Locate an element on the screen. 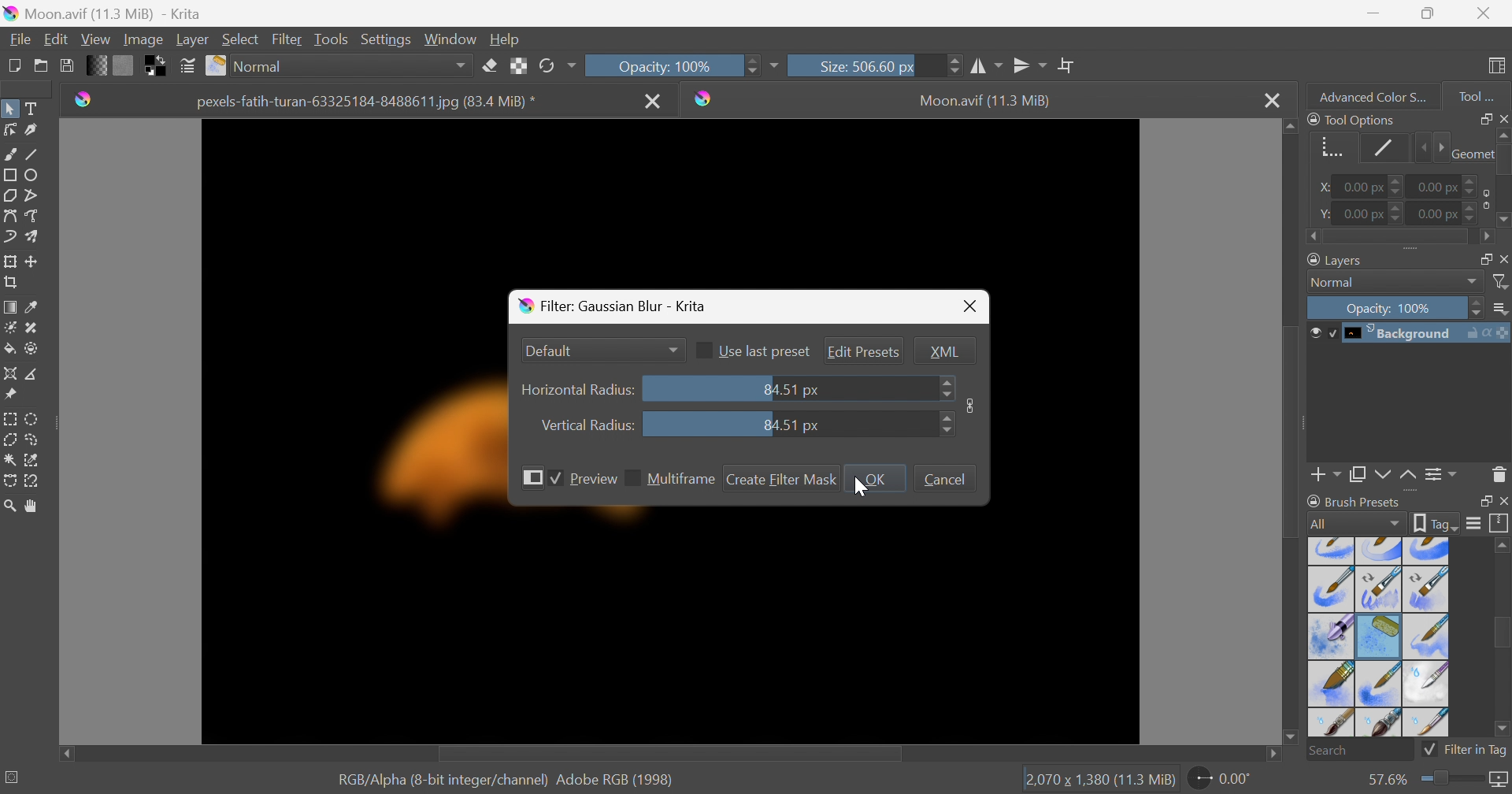 The height and width of the screenshot is (794, 1512). Restore down is located at coordinates (1480, 258).